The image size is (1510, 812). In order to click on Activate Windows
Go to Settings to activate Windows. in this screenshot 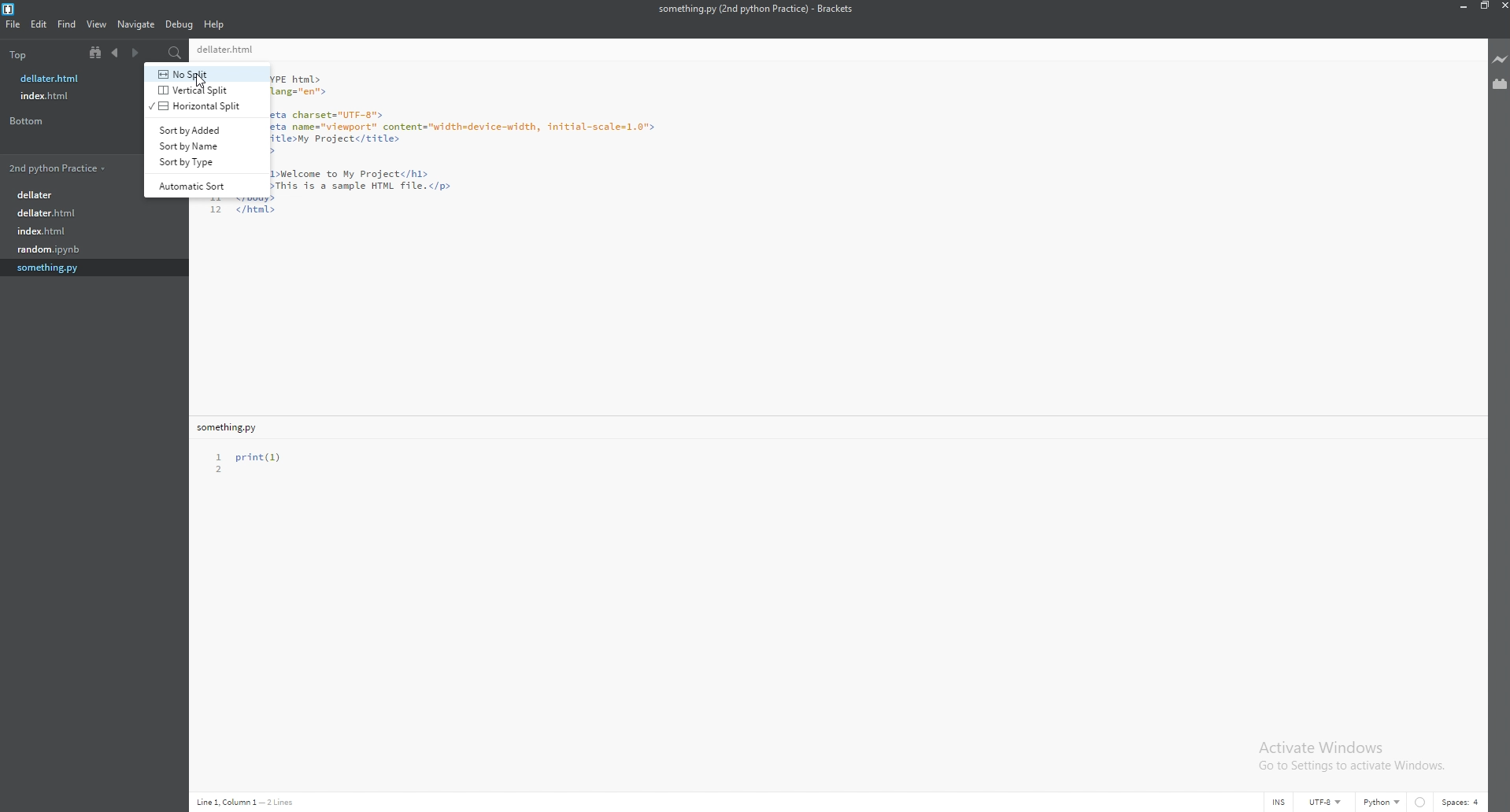, I will do `click(1349, 756)`.